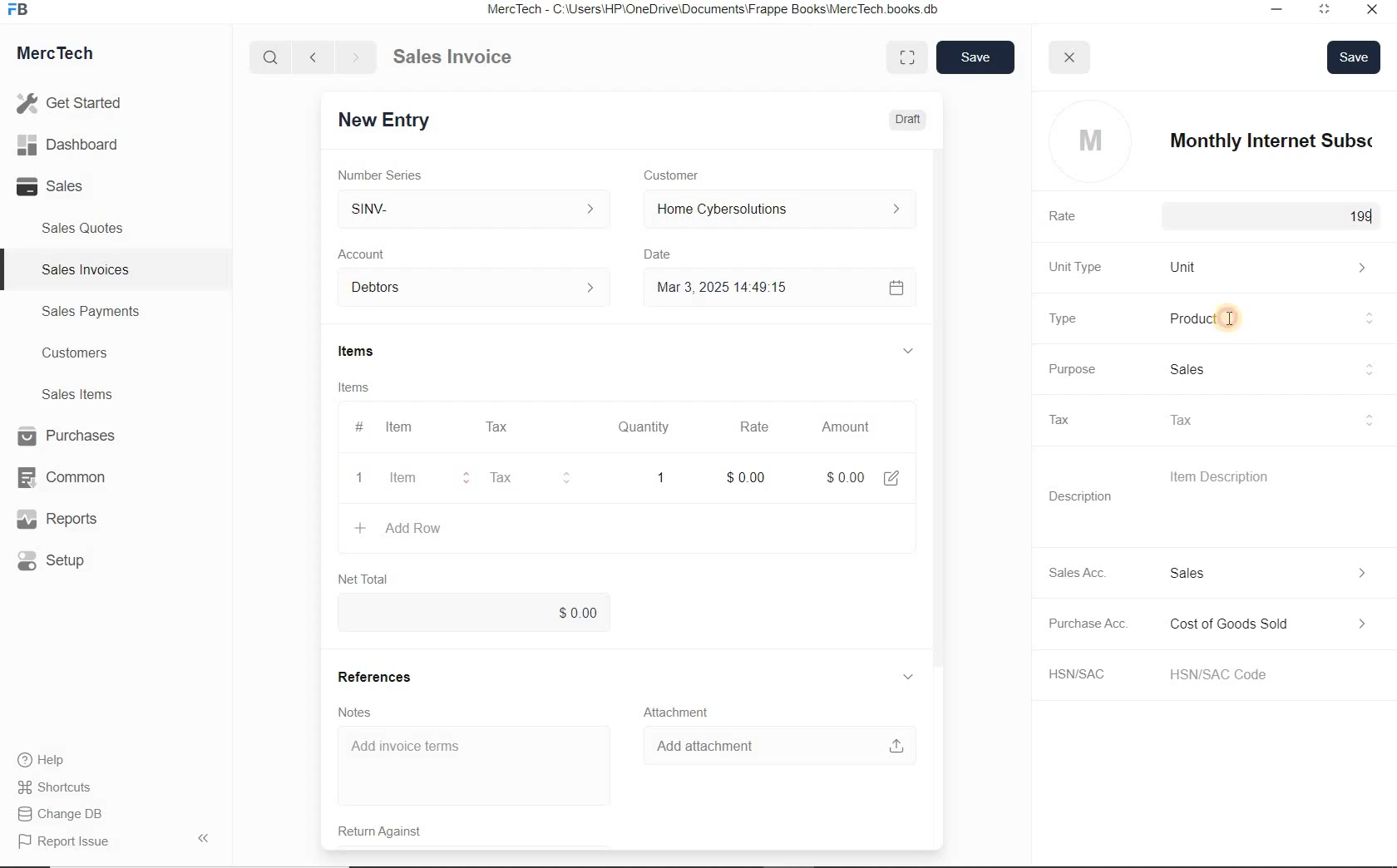 The width and height of the screenshot is (1397, 868). Describe the element at coordinates (69, 437) in the screenshot. I see `Purchases` at that location.